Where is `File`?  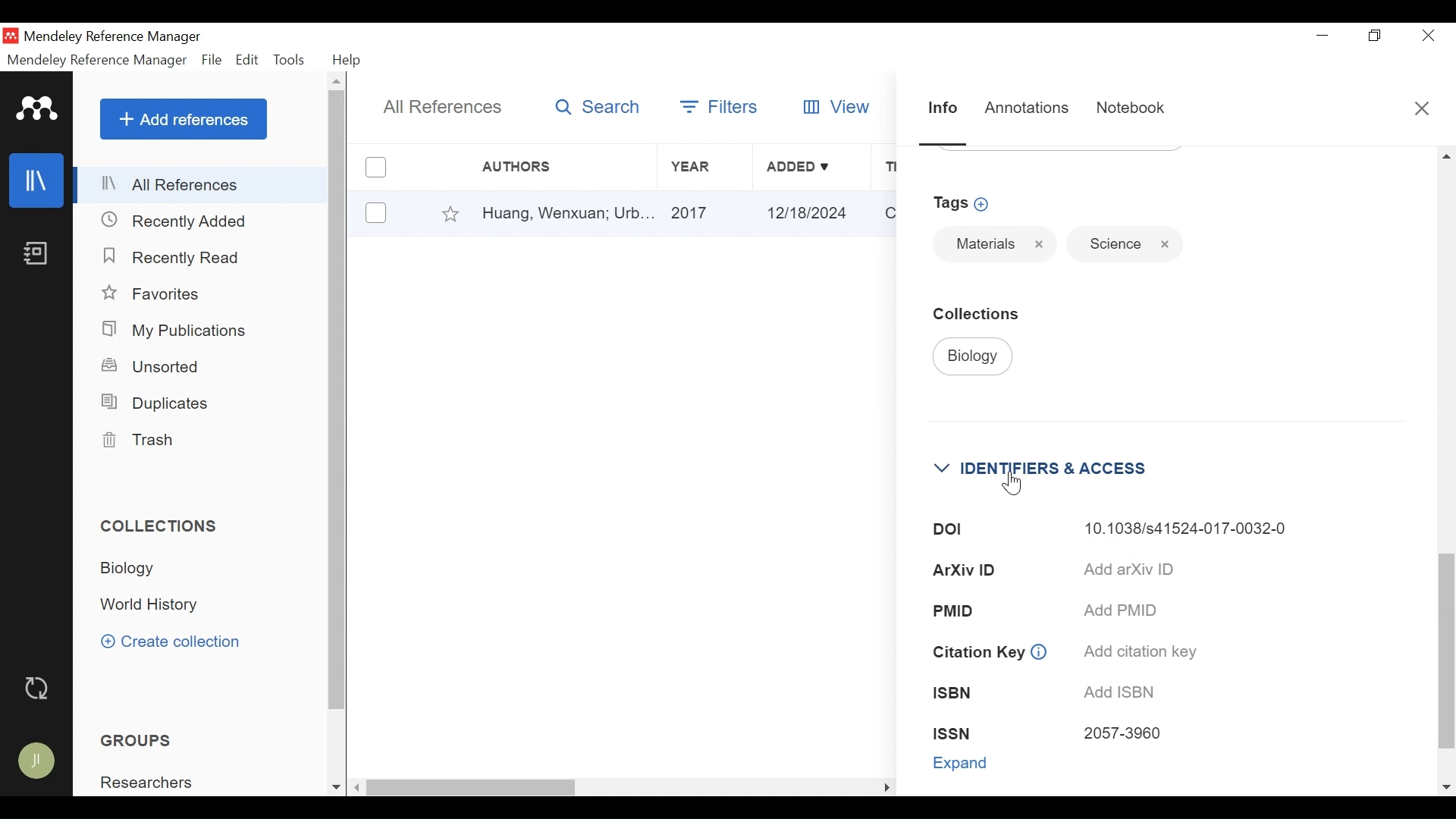
File is located at coordinates (212, 60).